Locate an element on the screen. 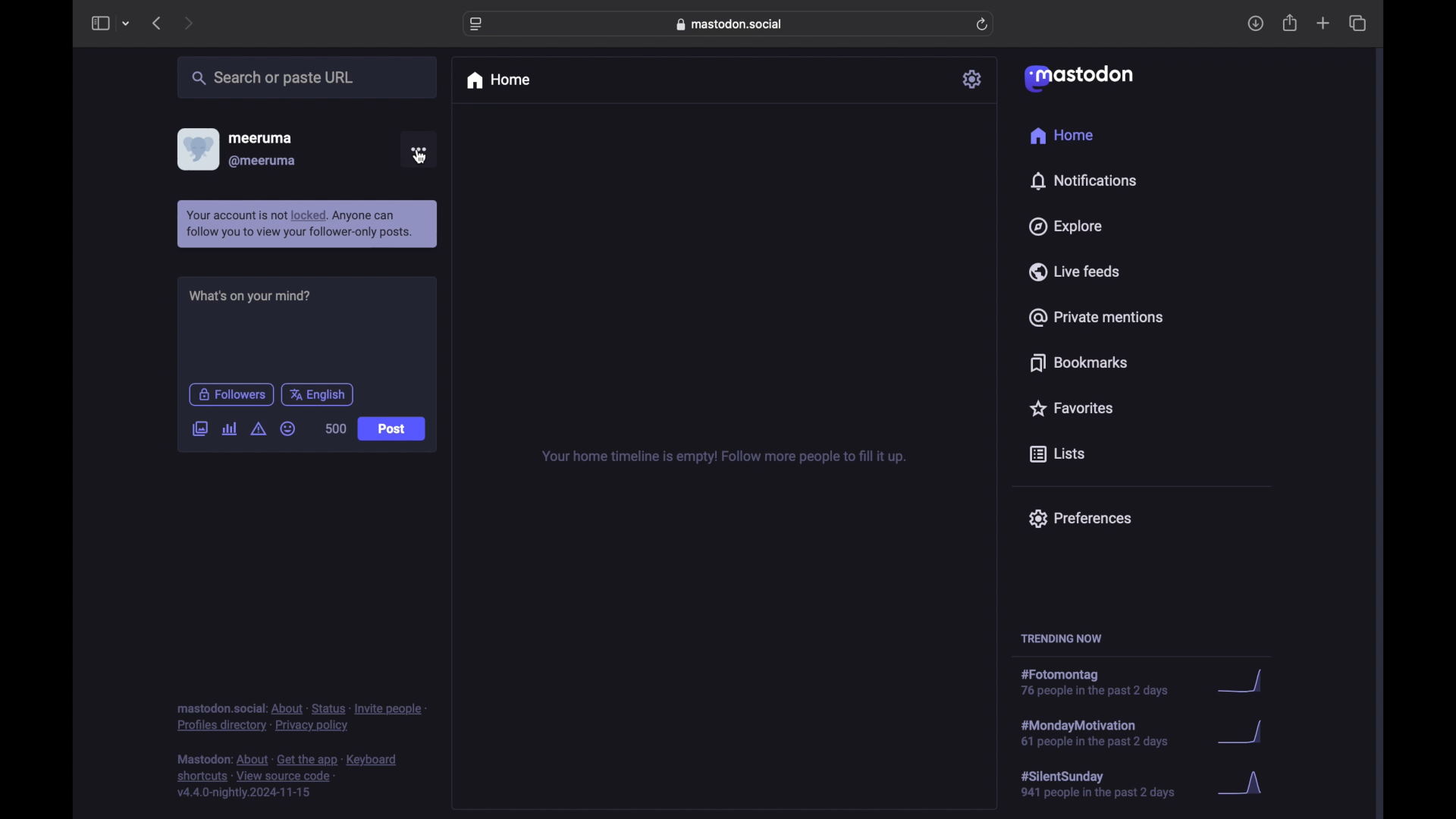 This screenshot has height=819, width=1456. back is located at coordinates (156, 24).